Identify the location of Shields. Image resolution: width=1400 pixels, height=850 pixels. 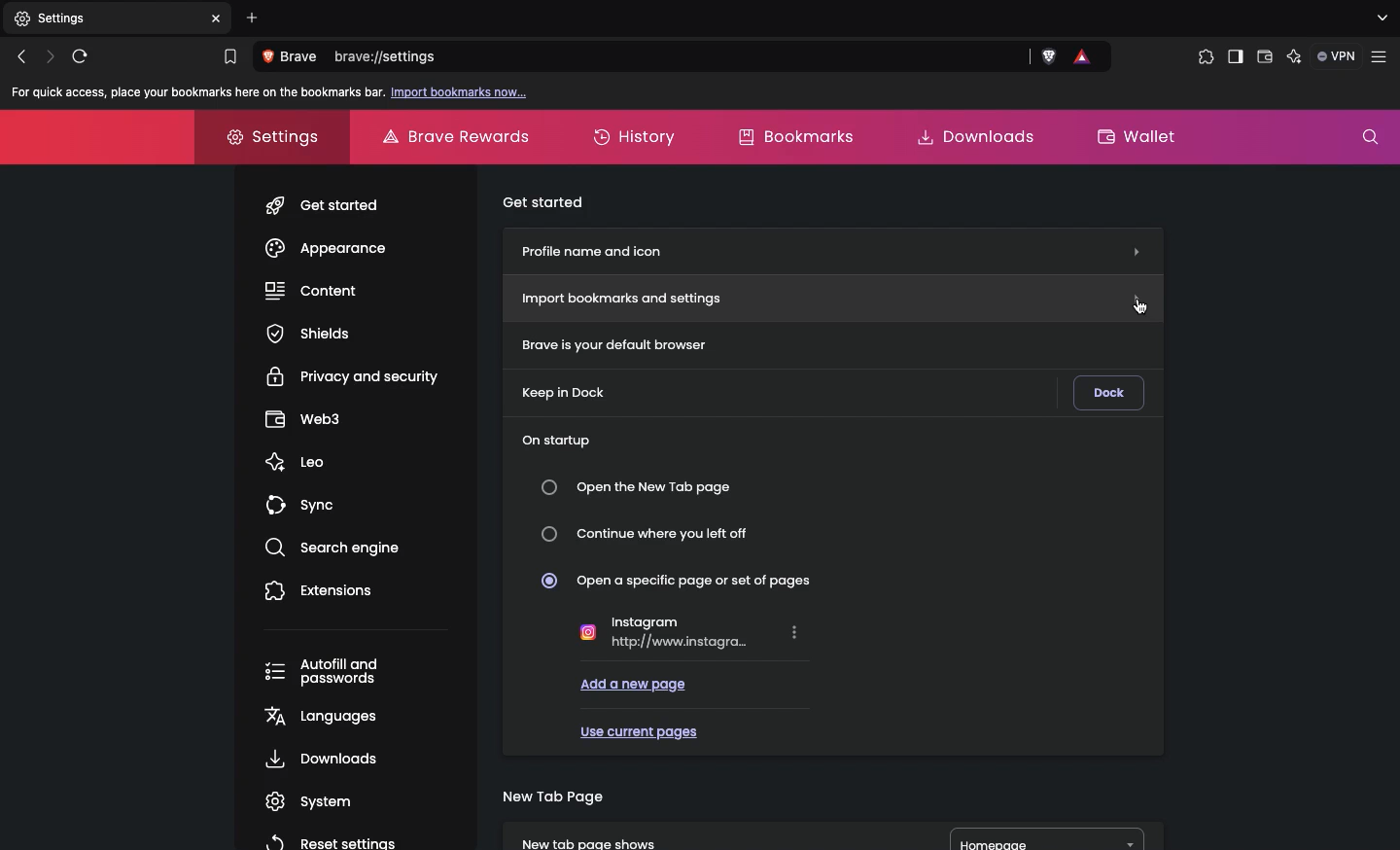
(308, 333).